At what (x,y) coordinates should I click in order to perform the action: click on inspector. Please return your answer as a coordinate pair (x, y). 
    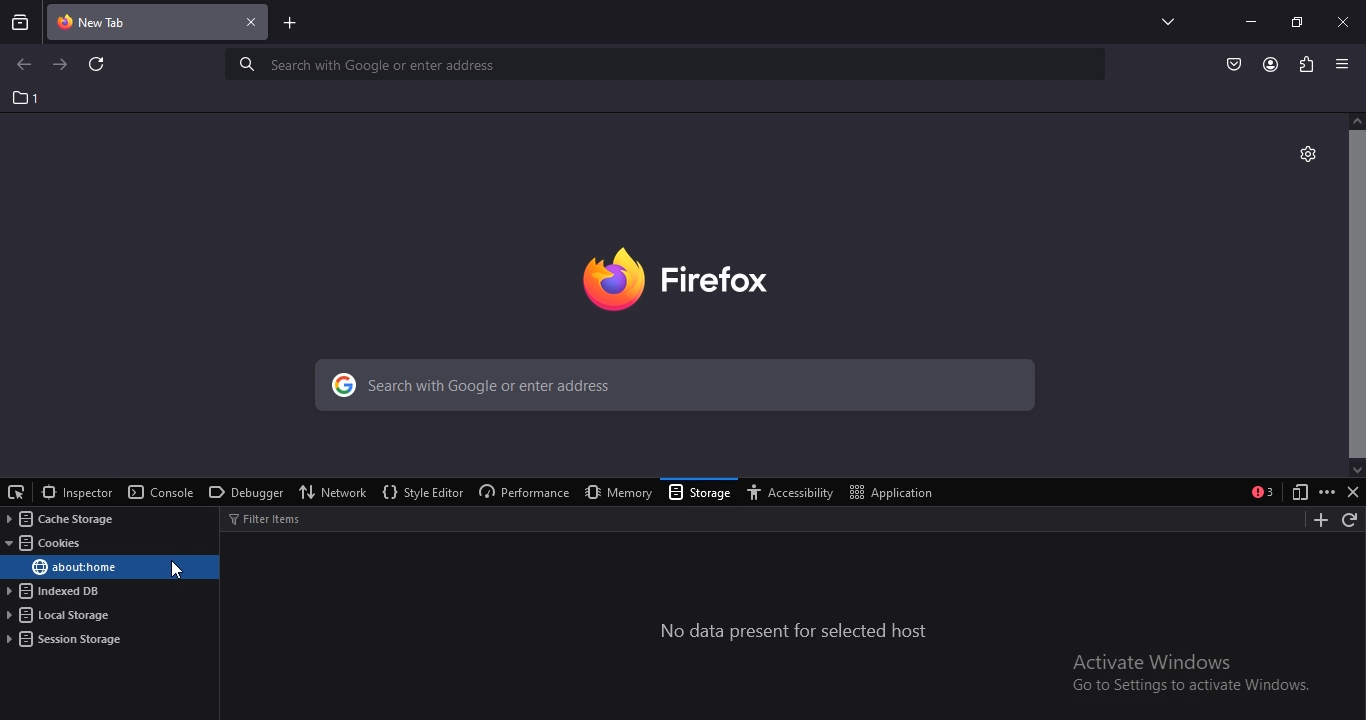
    Looking at the image, I should click on (76, 492).